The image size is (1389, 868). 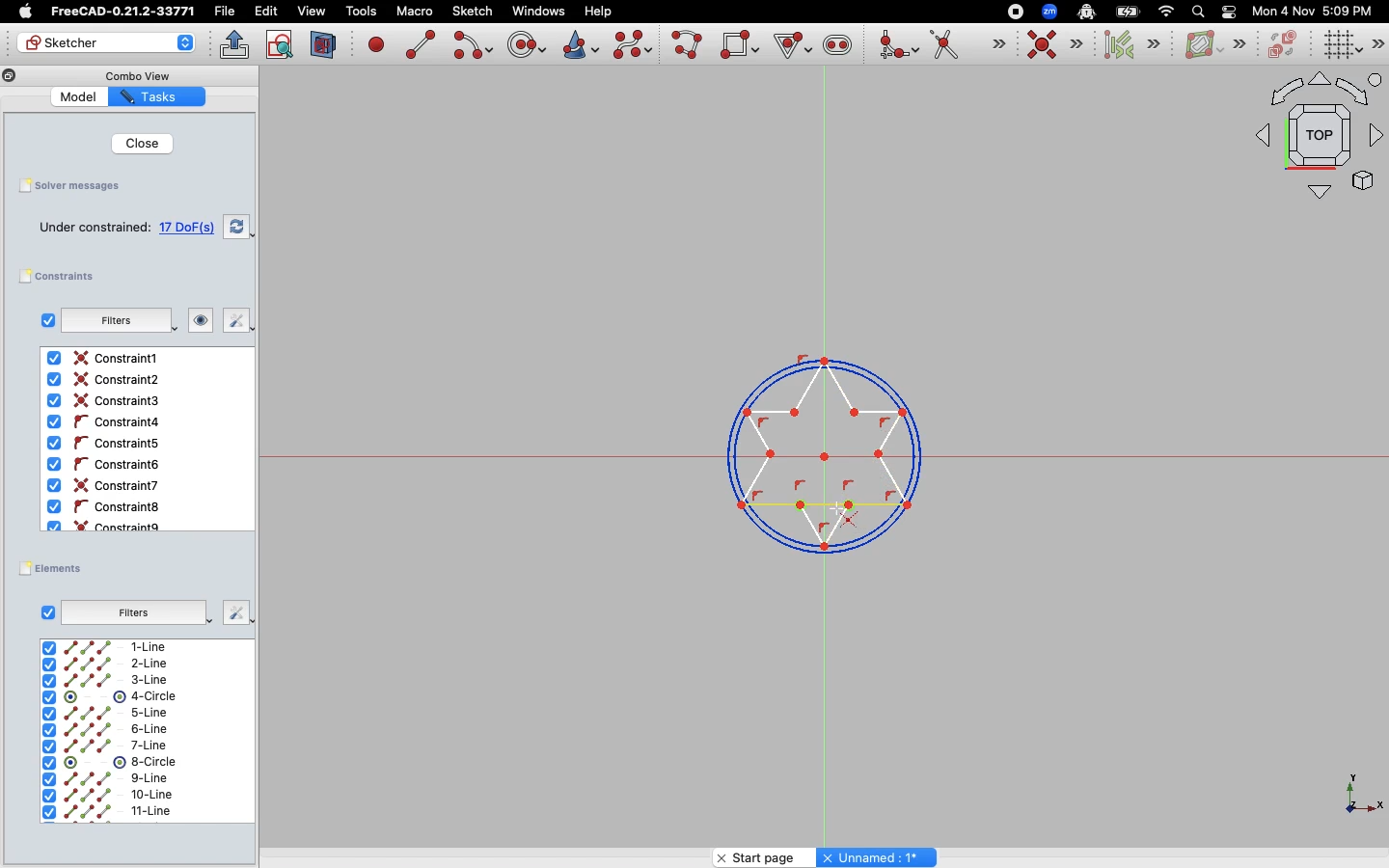 I want to click on Select associated constraints, so click(x=1129, y=44).